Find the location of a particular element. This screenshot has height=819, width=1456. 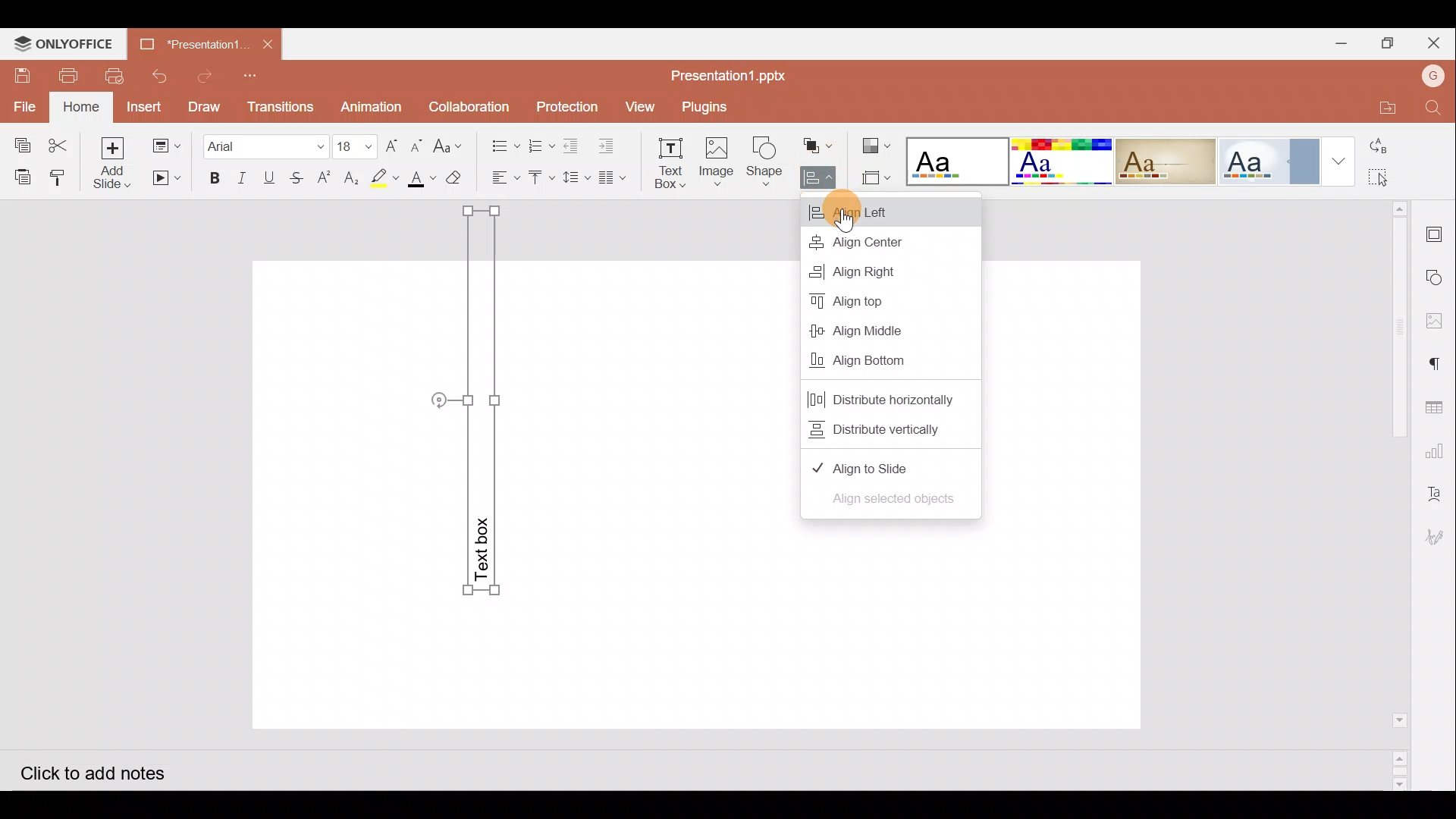

Select all is located at coordinates (1398, 178).